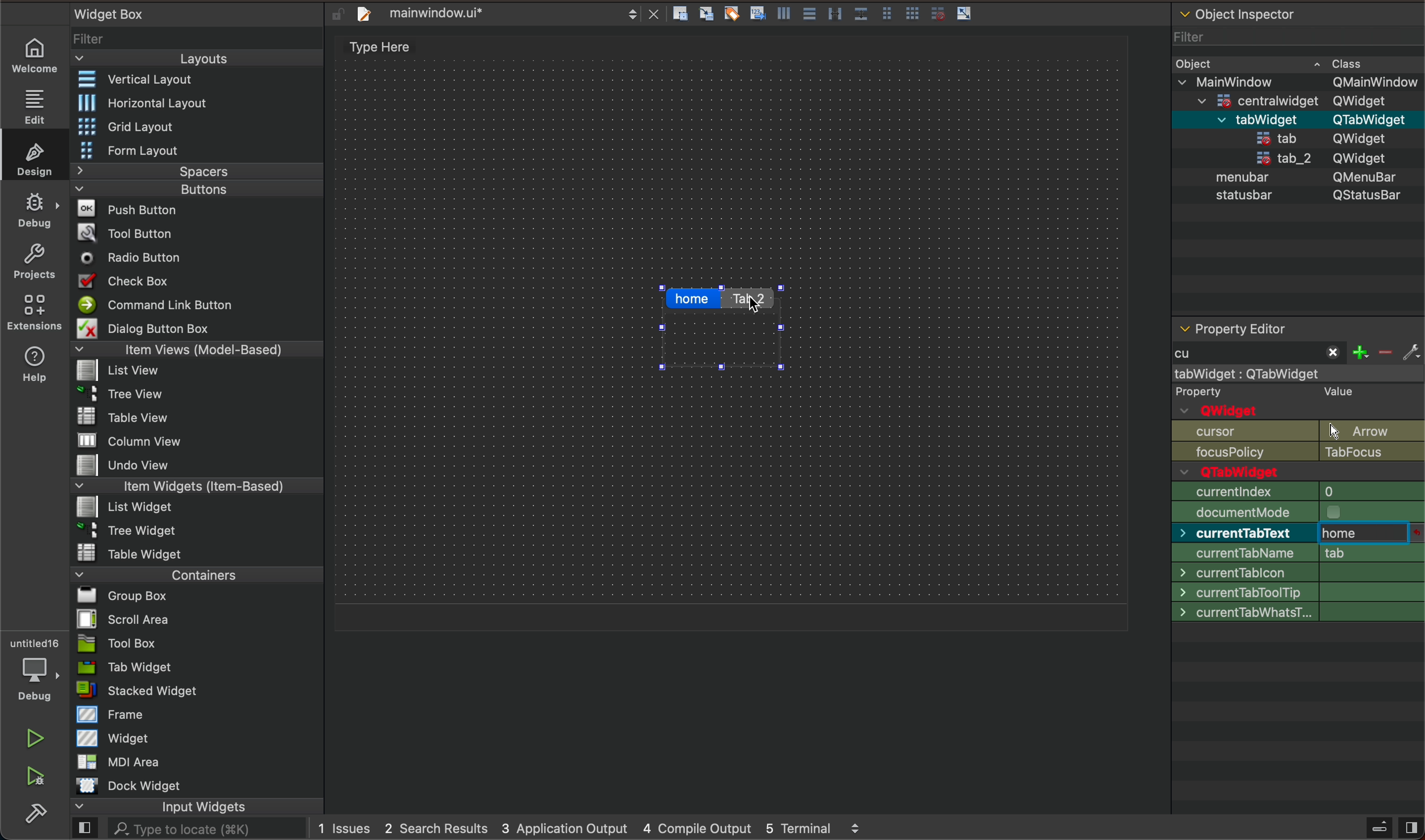  I want to click on object name and Qwidget, so click(1303, 440).